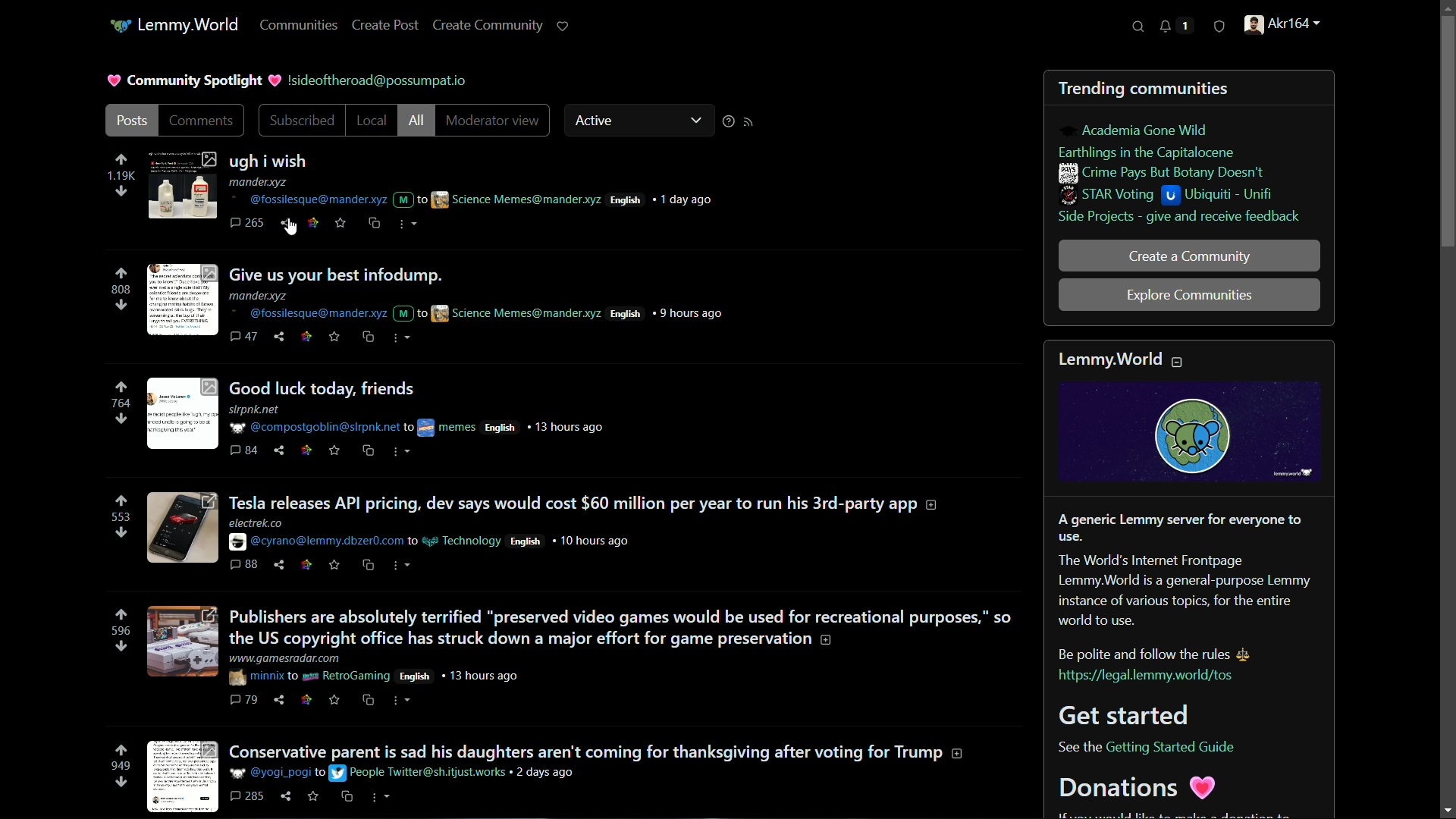 This screenshot has width=1456, height=819. Describe the element at coordinates (1222, 196) in the screenshot. I see `ubiquiti - unifi` at that location.